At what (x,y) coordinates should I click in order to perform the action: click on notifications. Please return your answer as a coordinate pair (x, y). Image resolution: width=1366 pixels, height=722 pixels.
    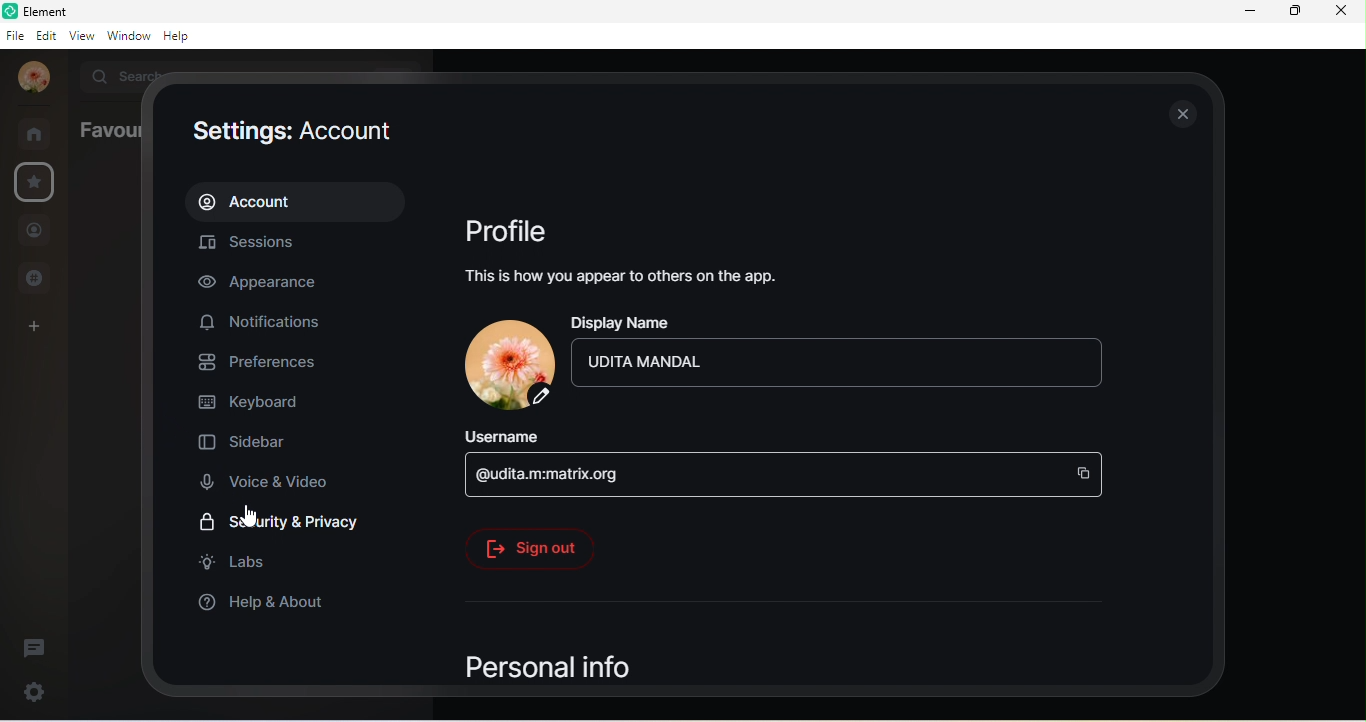
    Looking at the image, I should click on (266, 323).